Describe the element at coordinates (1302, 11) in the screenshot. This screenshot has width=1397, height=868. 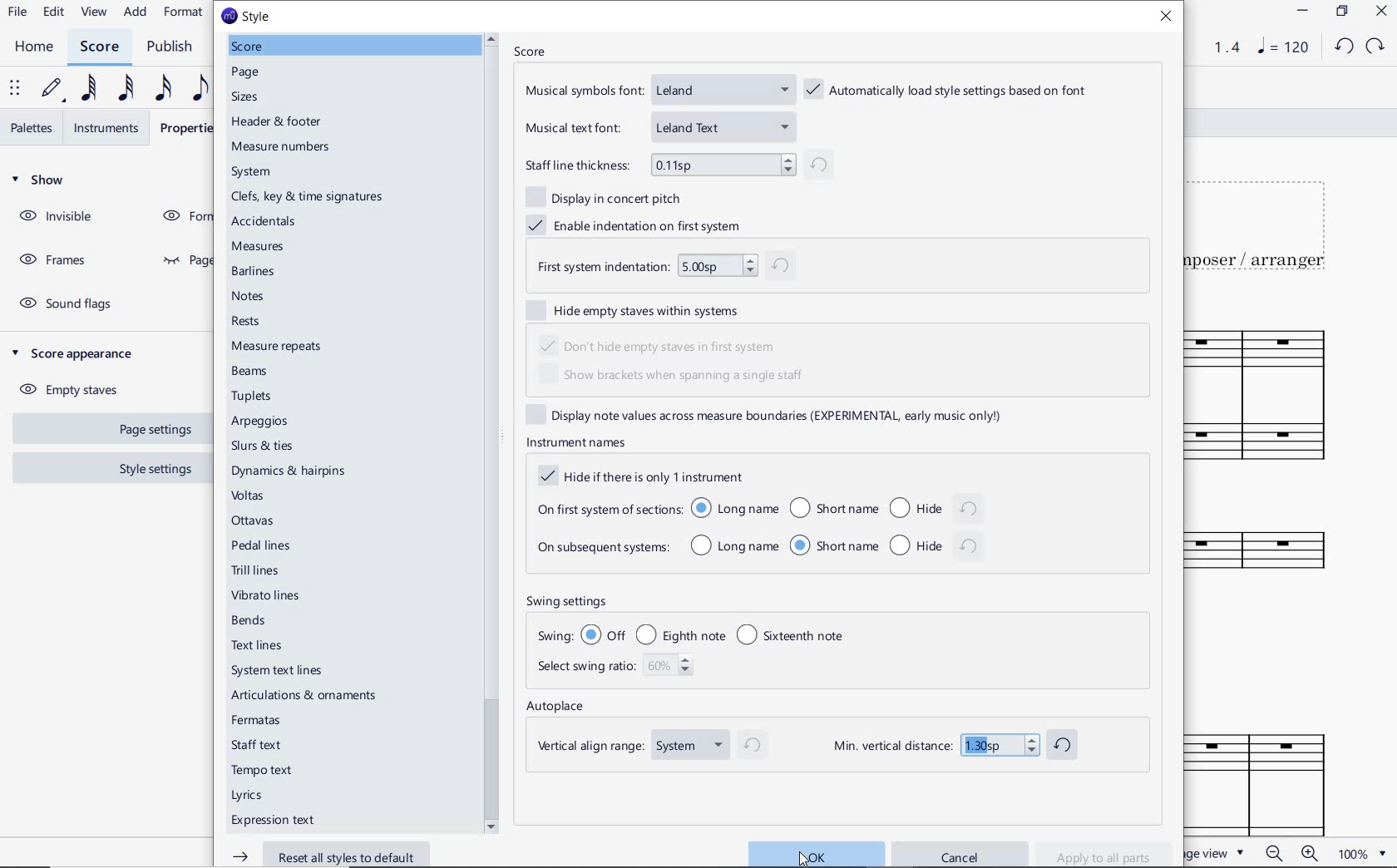
I see `MINIMIZE` at that location.